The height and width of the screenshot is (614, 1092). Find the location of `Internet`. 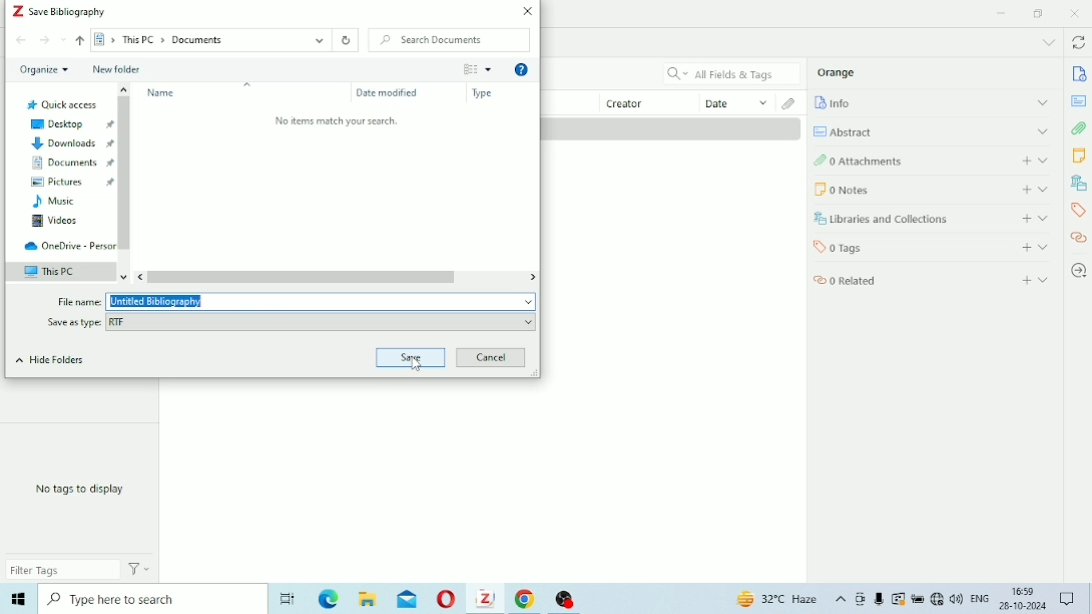

Internet is located at coordinates (937, 600).